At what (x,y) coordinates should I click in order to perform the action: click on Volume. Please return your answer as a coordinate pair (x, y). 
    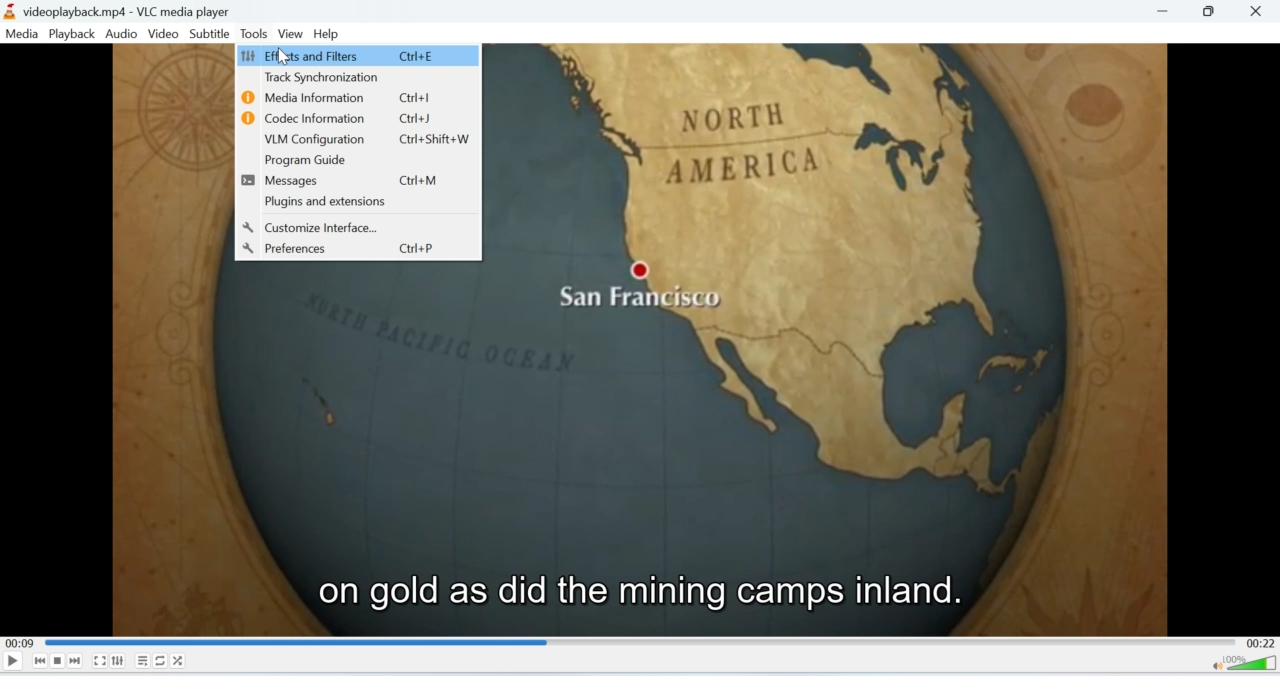
    Looking at the image, I should click on (1242, 664).